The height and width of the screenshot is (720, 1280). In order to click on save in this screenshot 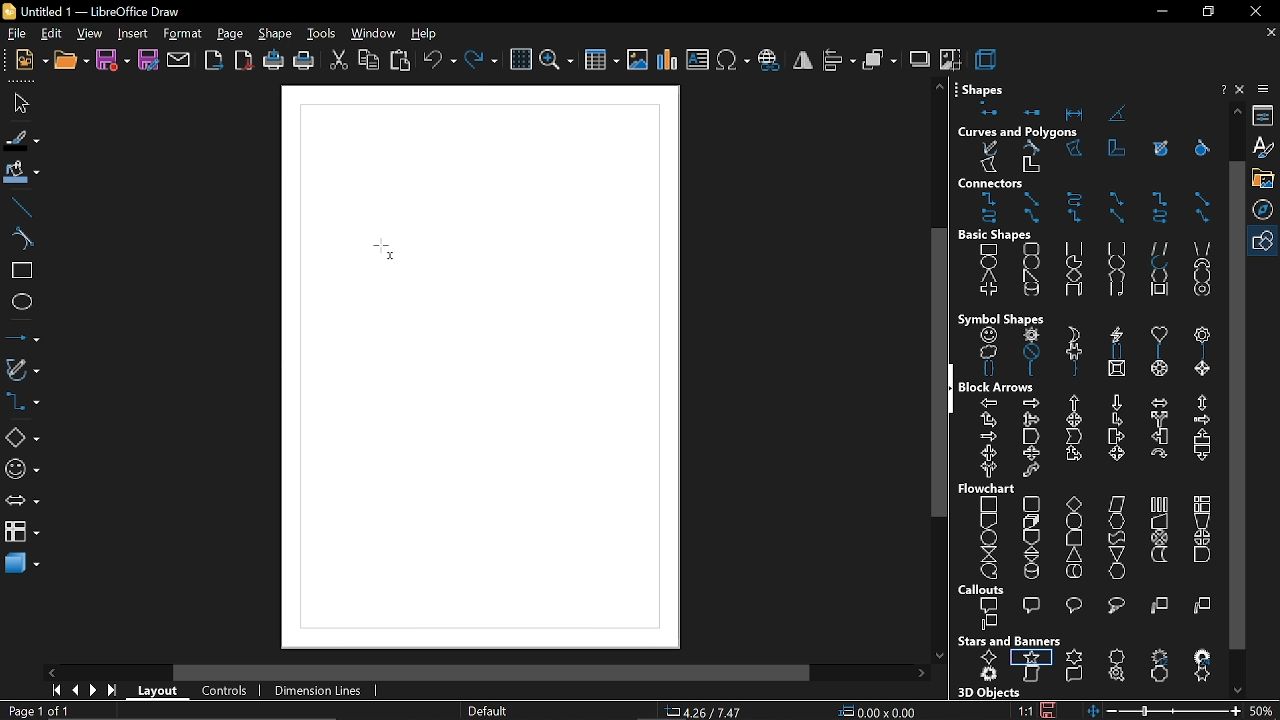, I will do `click(113, 61)`.